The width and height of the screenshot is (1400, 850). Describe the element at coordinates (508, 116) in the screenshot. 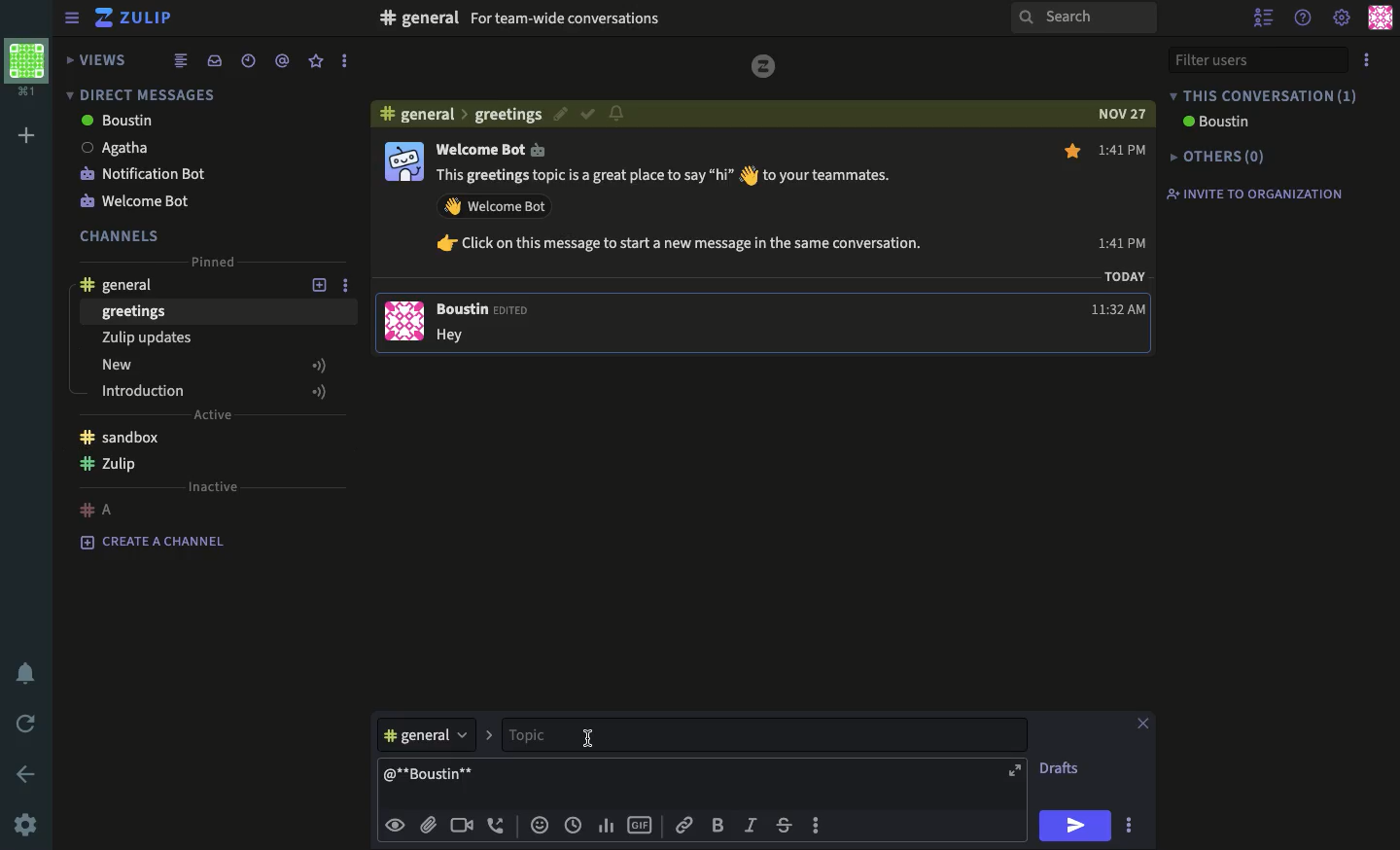

I see `greeting` at that location.